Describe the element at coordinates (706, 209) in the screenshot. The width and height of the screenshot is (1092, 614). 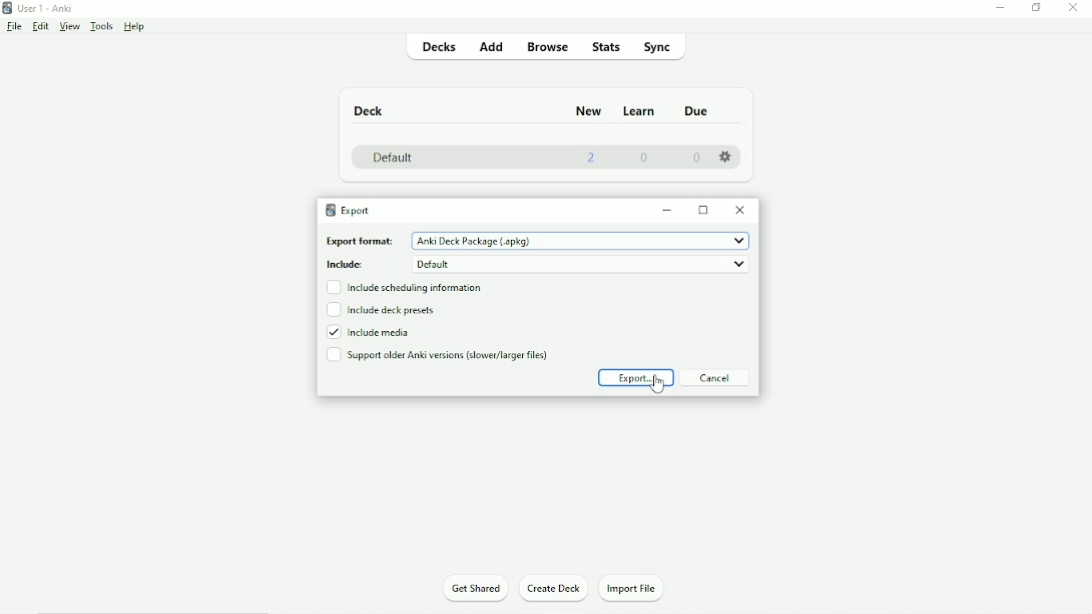
I see `Maximize` at that location.